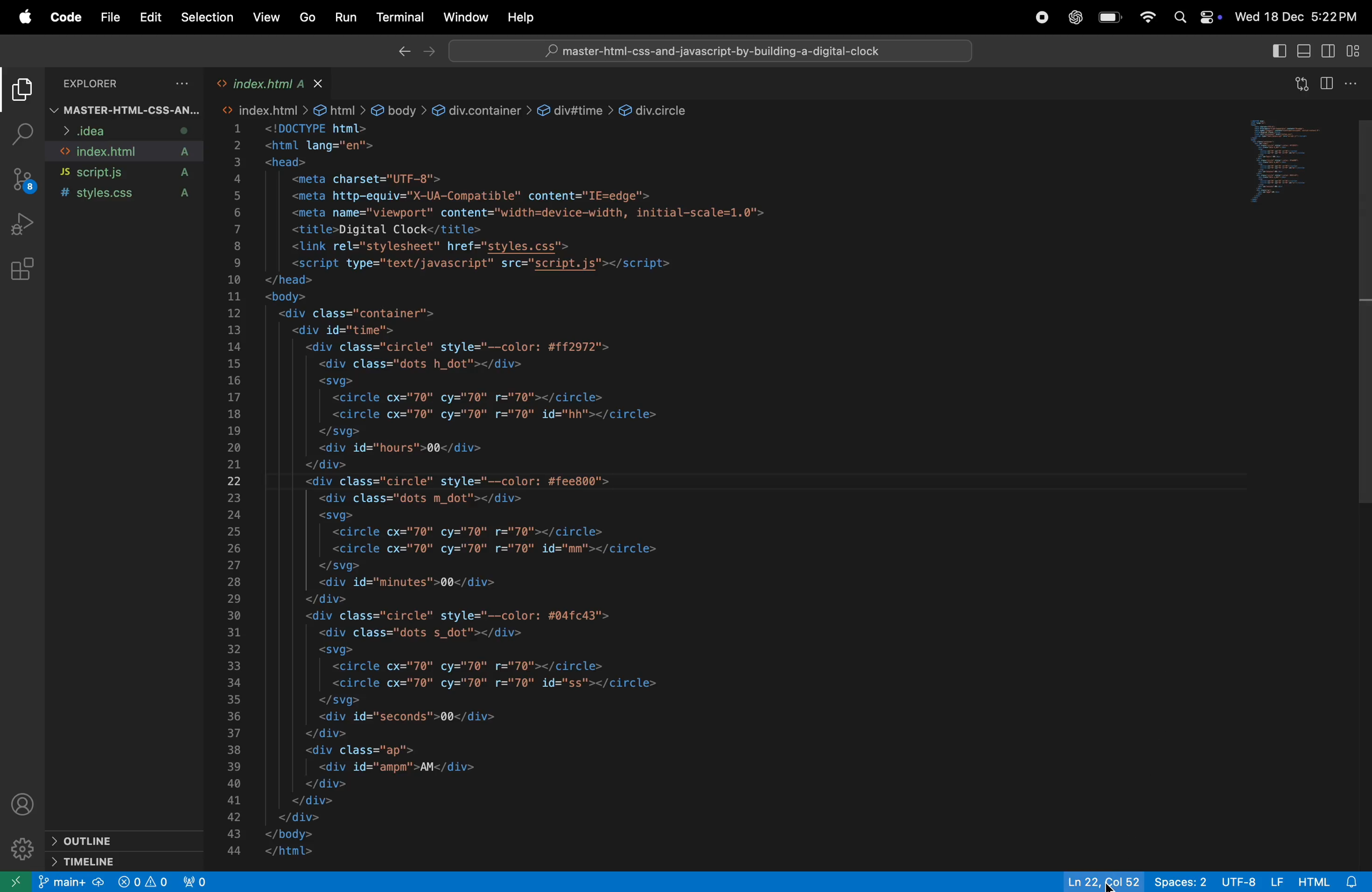 The height and width of the screenshot is (892, 1372). I want to click on settings, so click(22, 849).